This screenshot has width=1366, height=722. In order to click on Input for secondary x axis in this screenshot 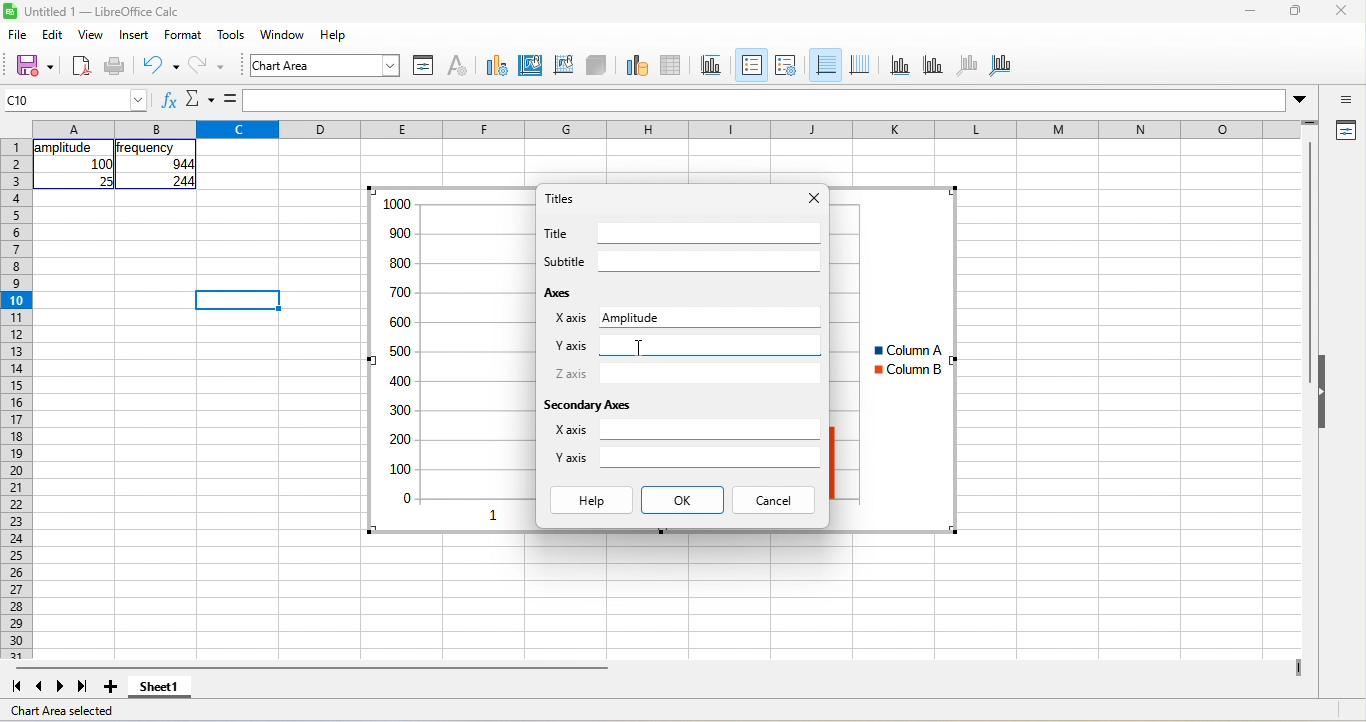, I will do `click(710, 429)`.